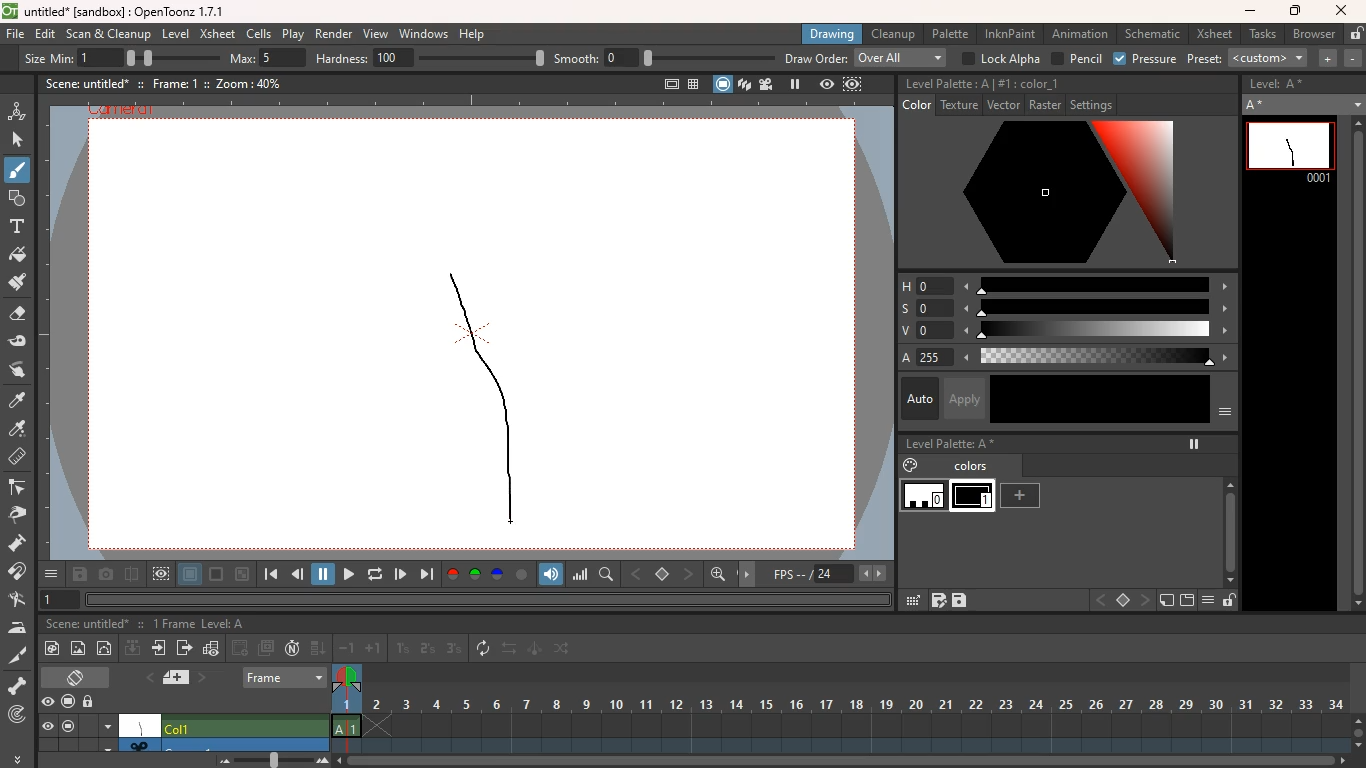 The width and height of the screenshot is (1366, 768). Describe the element at coordinates (794, 84) in the screenshot. I see `pause` at that location.